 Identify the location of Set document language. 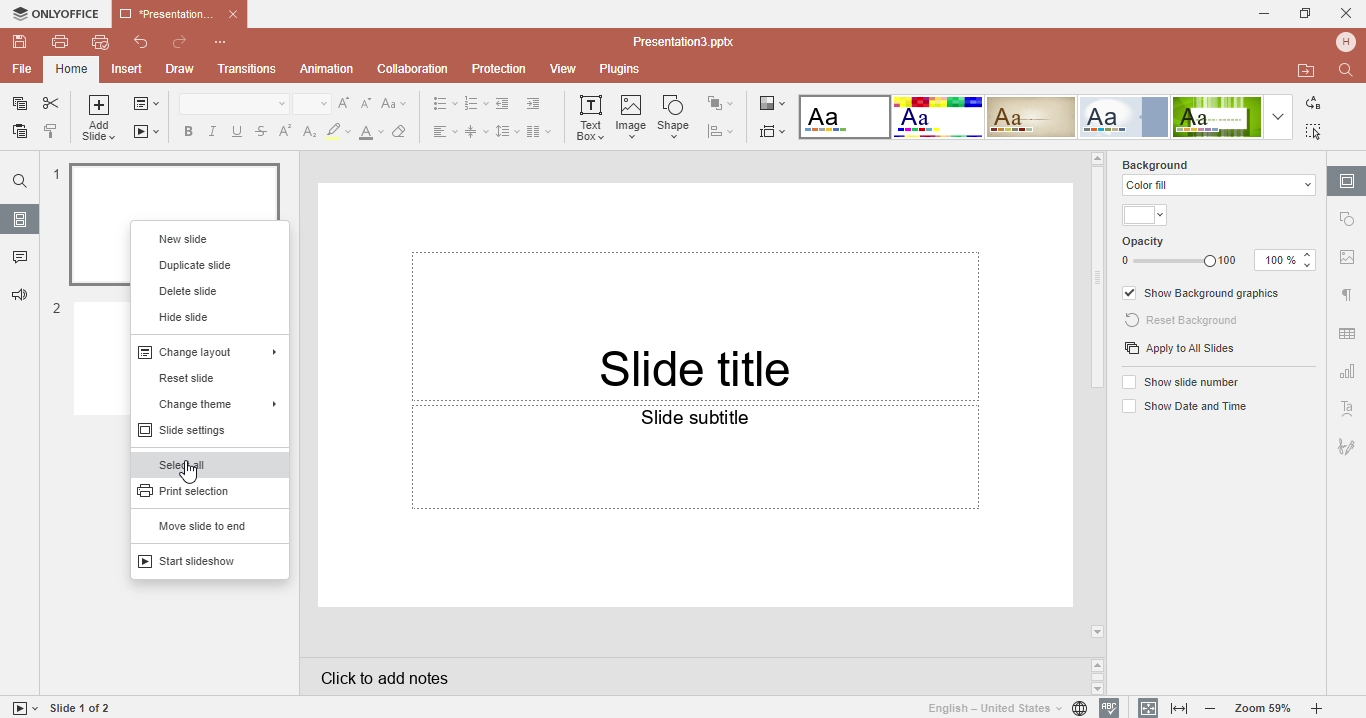
(1006, 708).